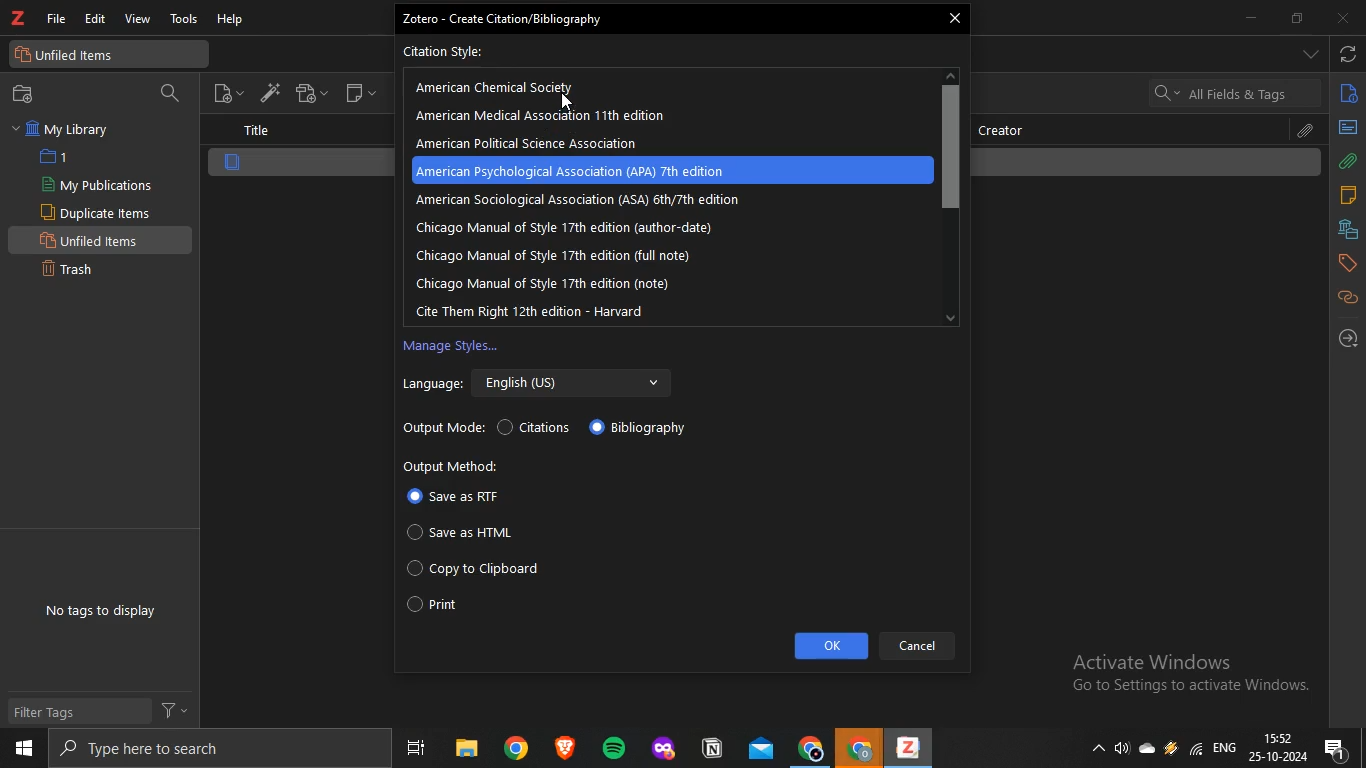 The width and height of the screenshot is (1366, 768). What do you see at coordinates (540, 429) in the screenshot?
I see `Citations` at bounding box center [540, 429].